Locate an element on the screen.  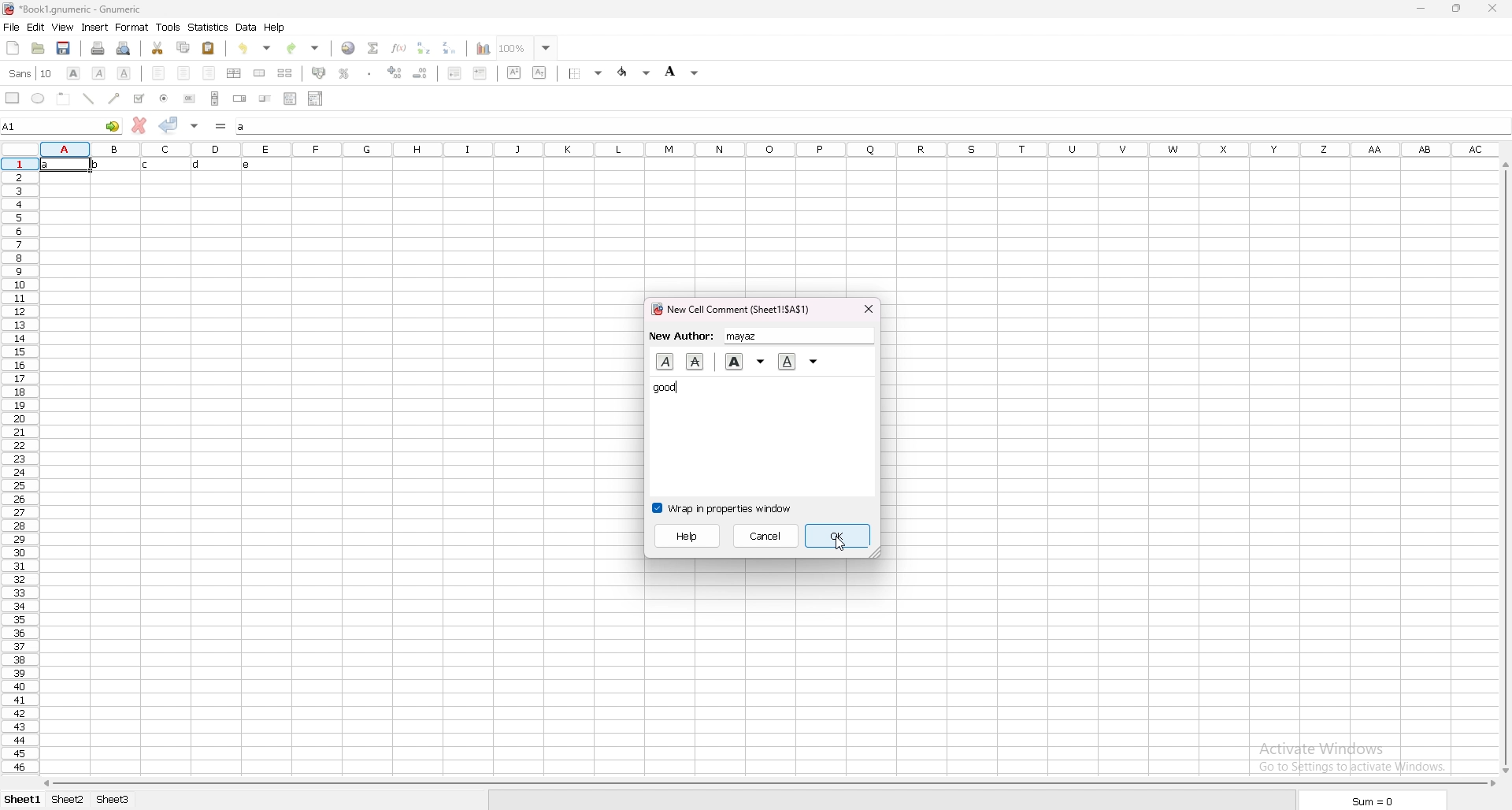
new author is located at coordinates (760, 336).